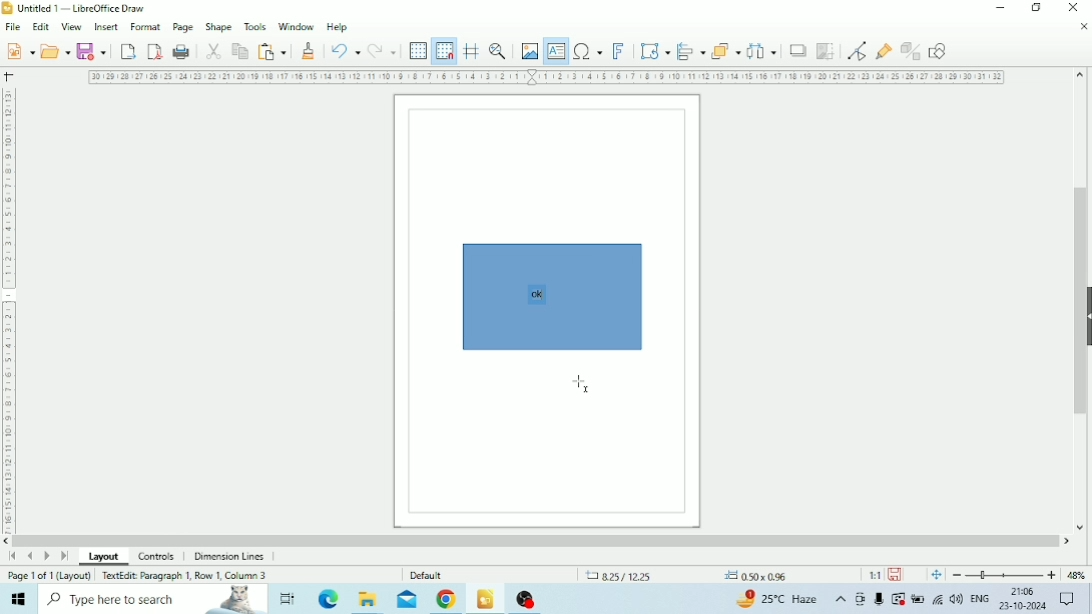  Describe the element at coordinates (338, 28) in the screenshot. I see `Help` at that location.